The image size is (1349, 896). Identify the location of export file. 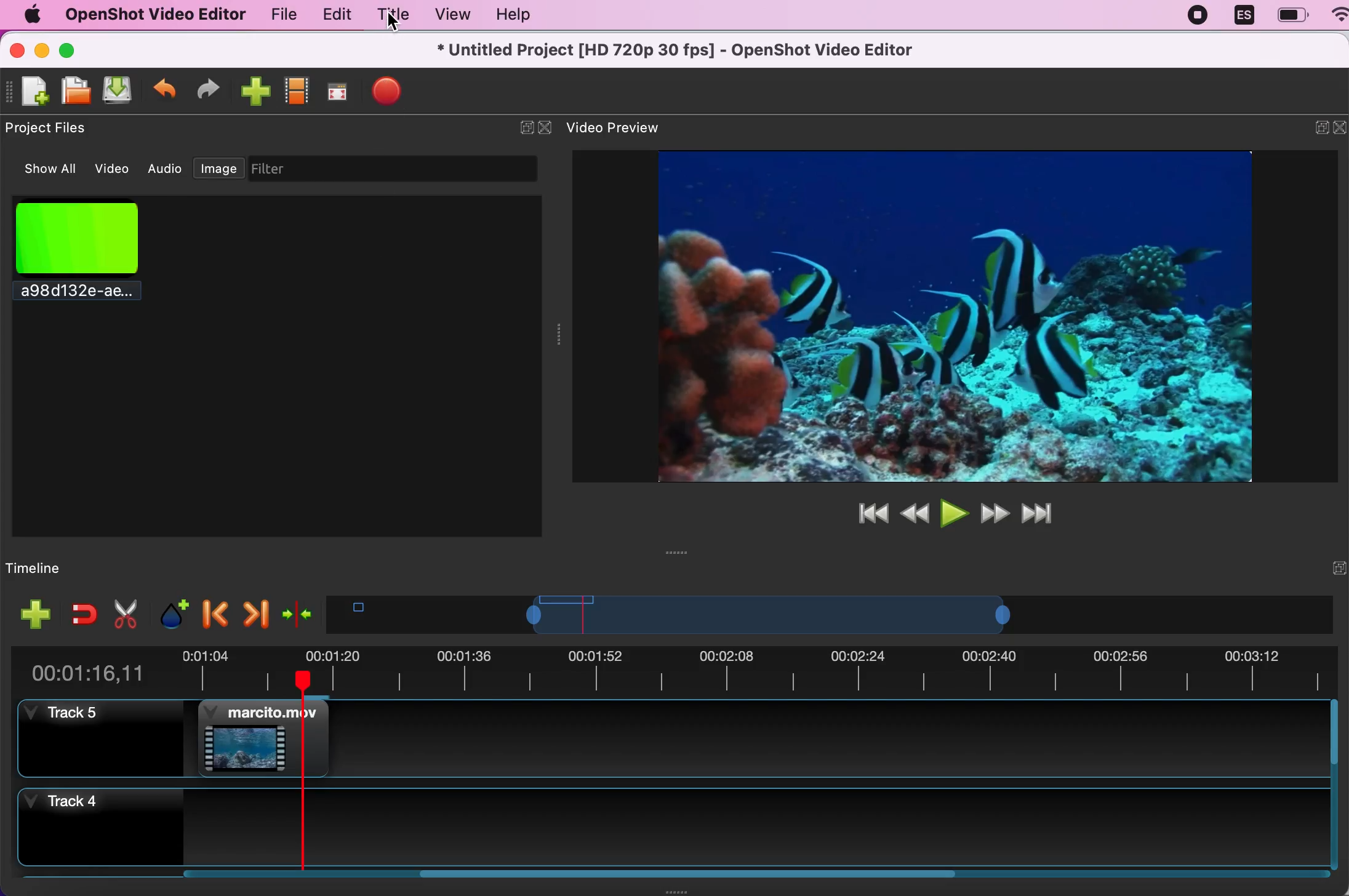
(396, 94).